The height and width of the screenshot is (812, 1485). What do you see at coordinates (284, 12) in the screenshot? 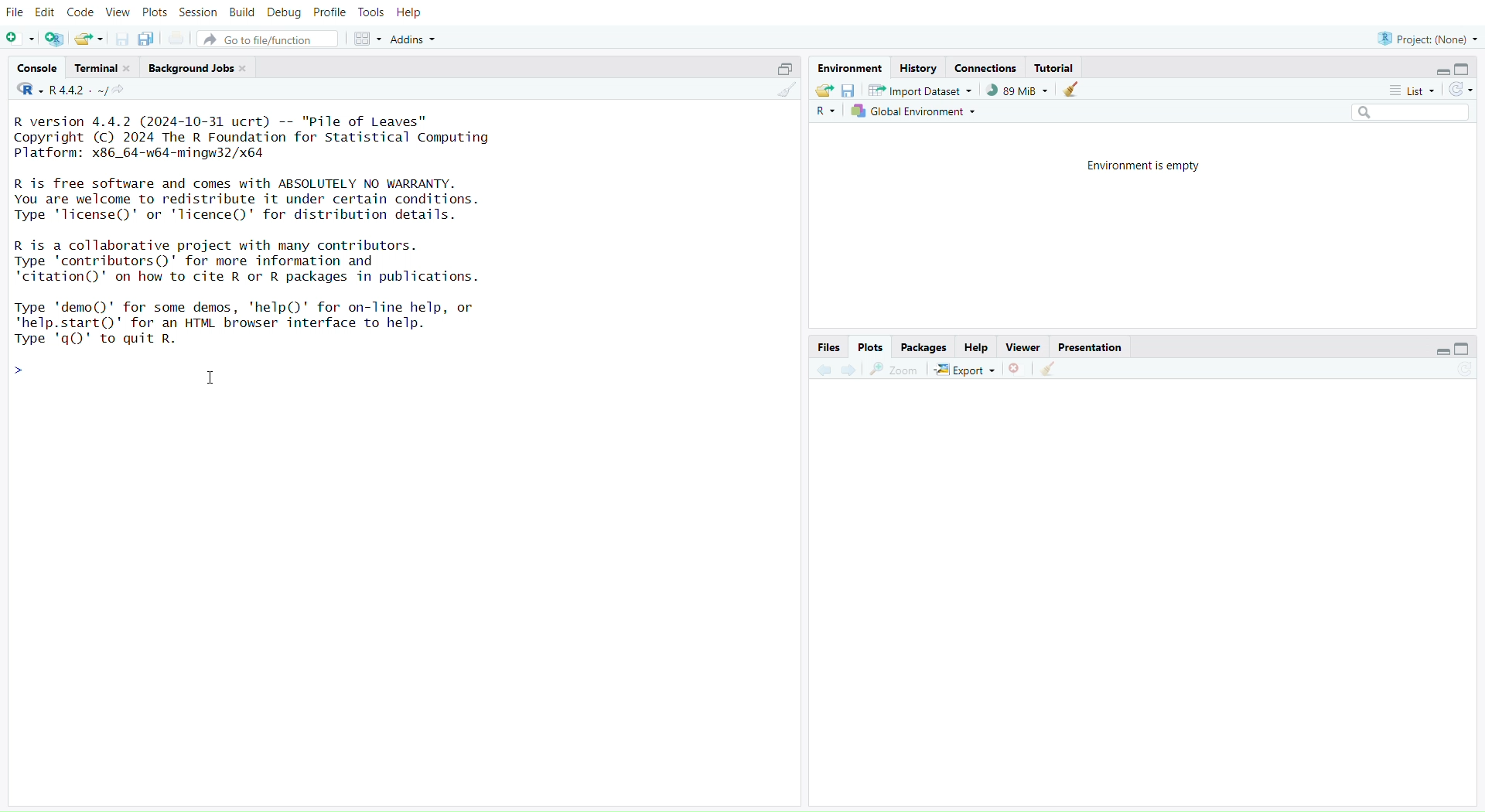
I see `Debug` at bounding box center [284, 12].